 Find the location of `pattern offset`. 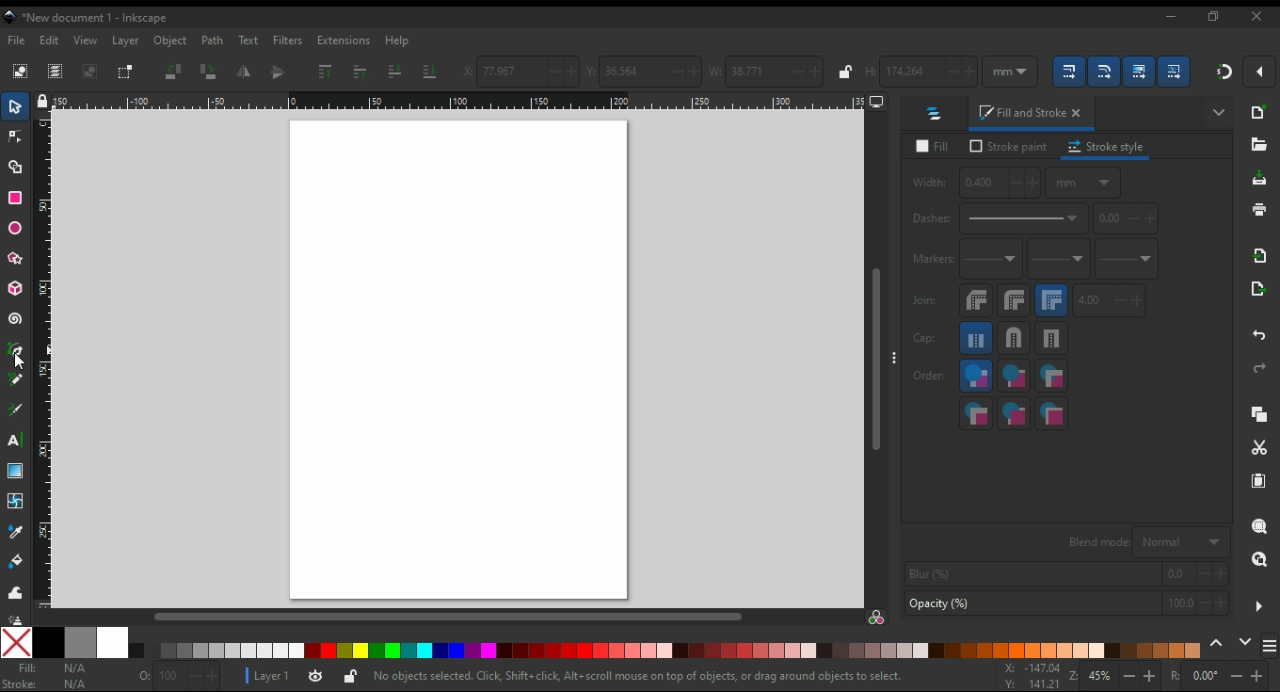

pattern offset is located at coordinates (1131, 219).